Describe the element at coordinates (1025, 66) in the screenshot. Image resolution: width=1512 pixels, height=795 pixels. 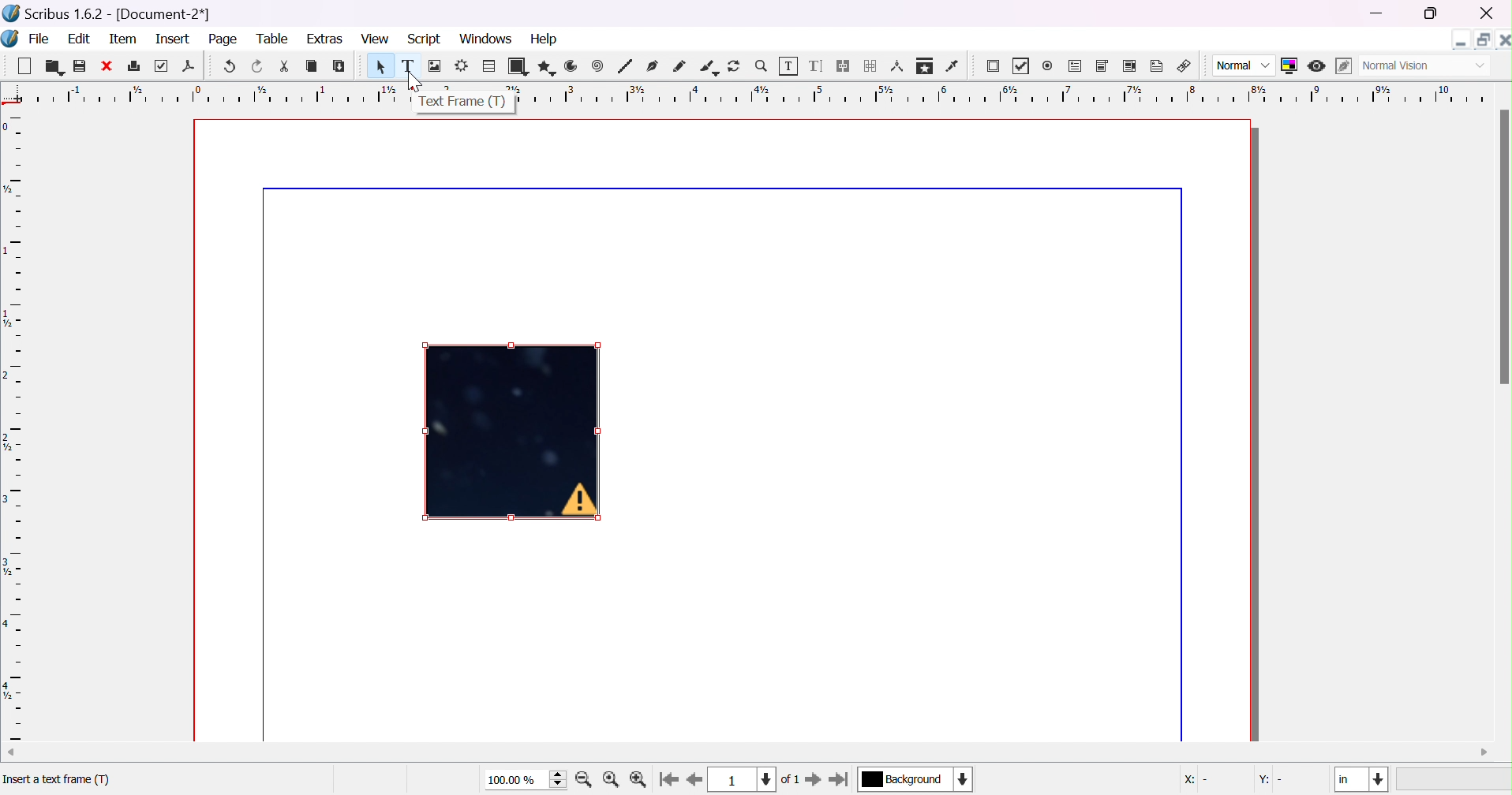
I see `PDF checkbox` at that location.